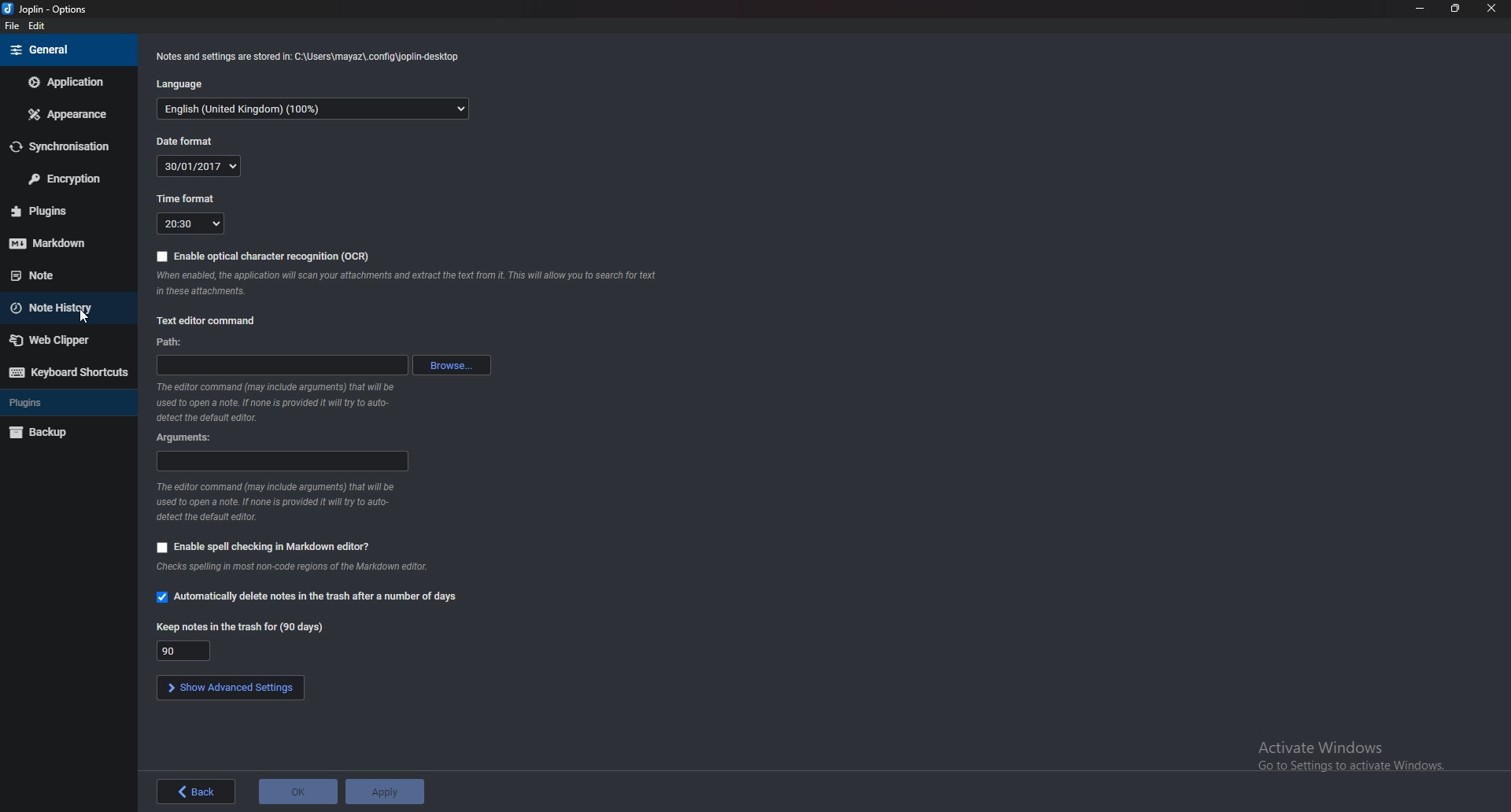  I want to click on Plugins, so click(65, 210).